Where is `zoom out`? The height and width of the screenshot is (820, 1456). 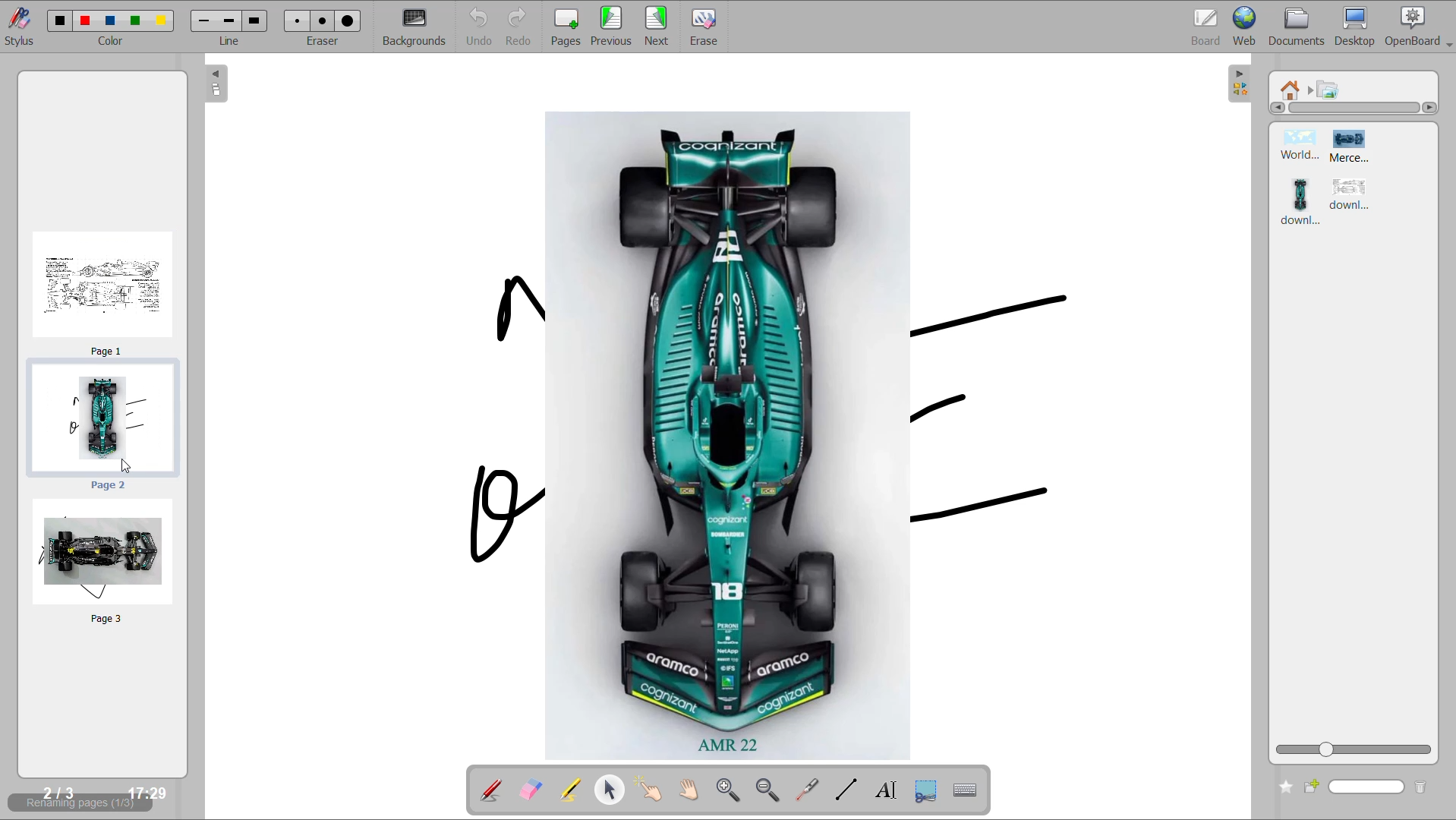
zoom out is located at coordinates (768, 790).